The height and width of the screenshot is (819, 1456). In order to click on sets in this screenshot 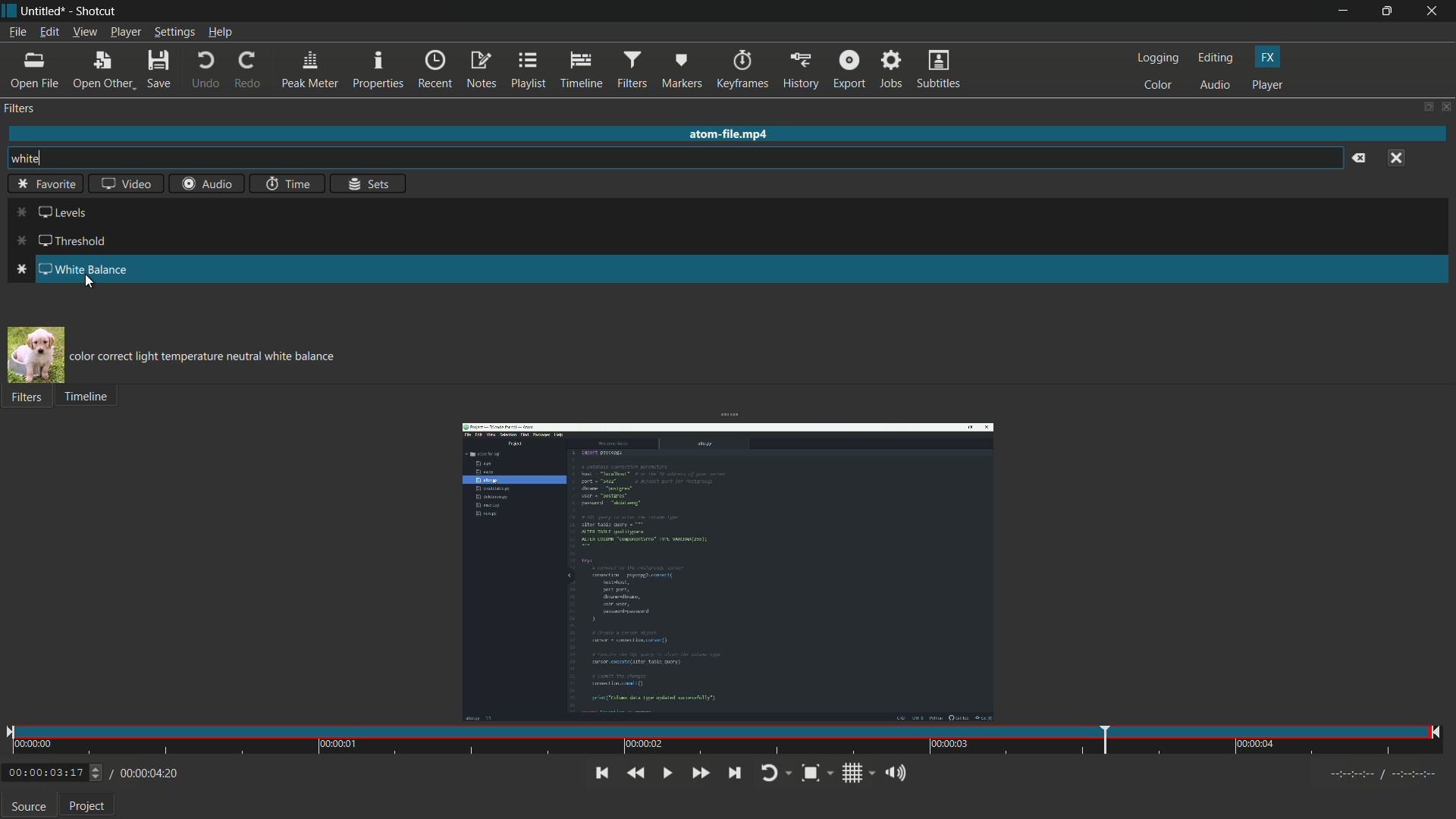, I will do `click(369, 184)`.